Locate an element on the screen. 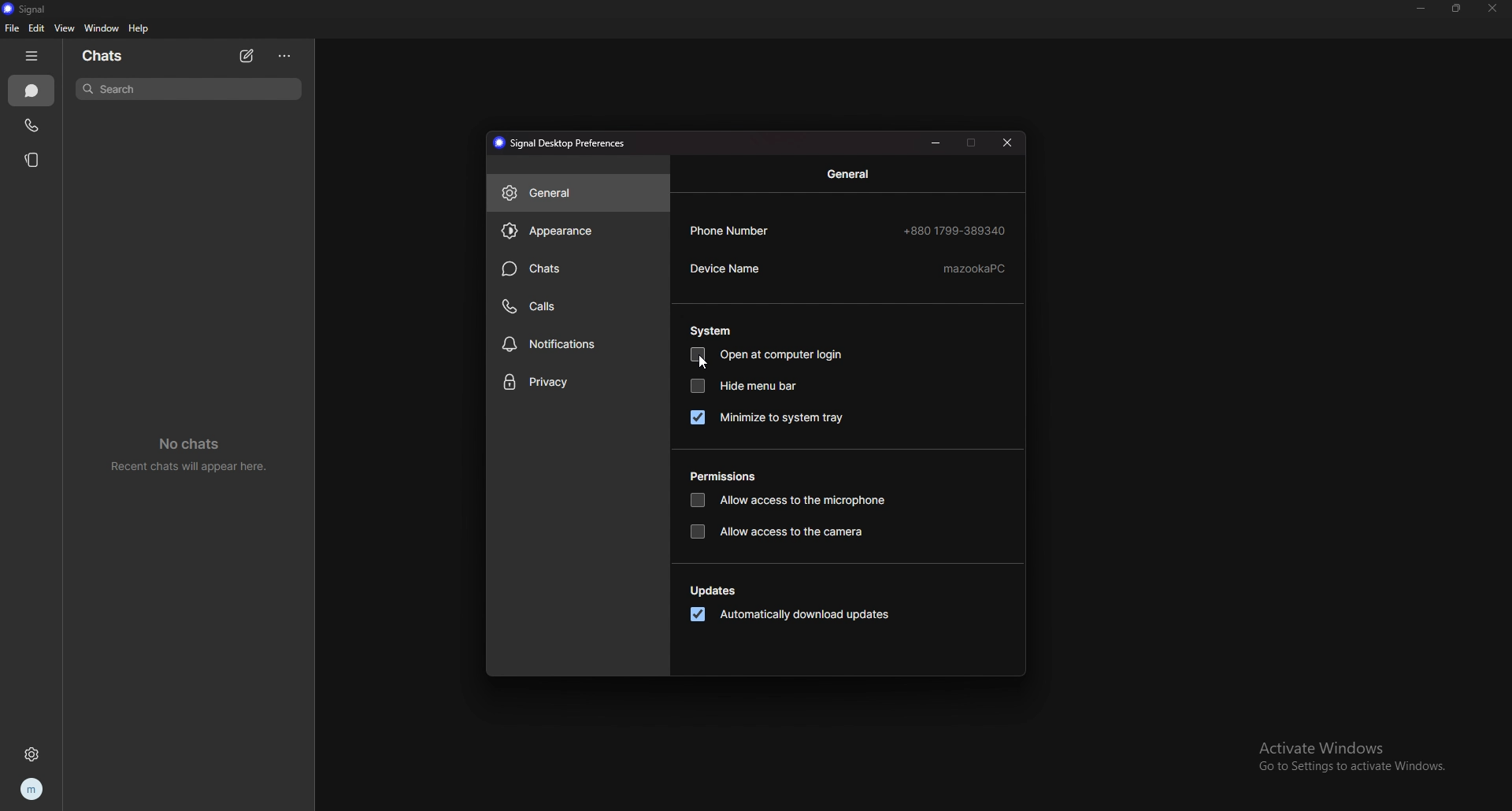  help is located at coordinates (139, 28).